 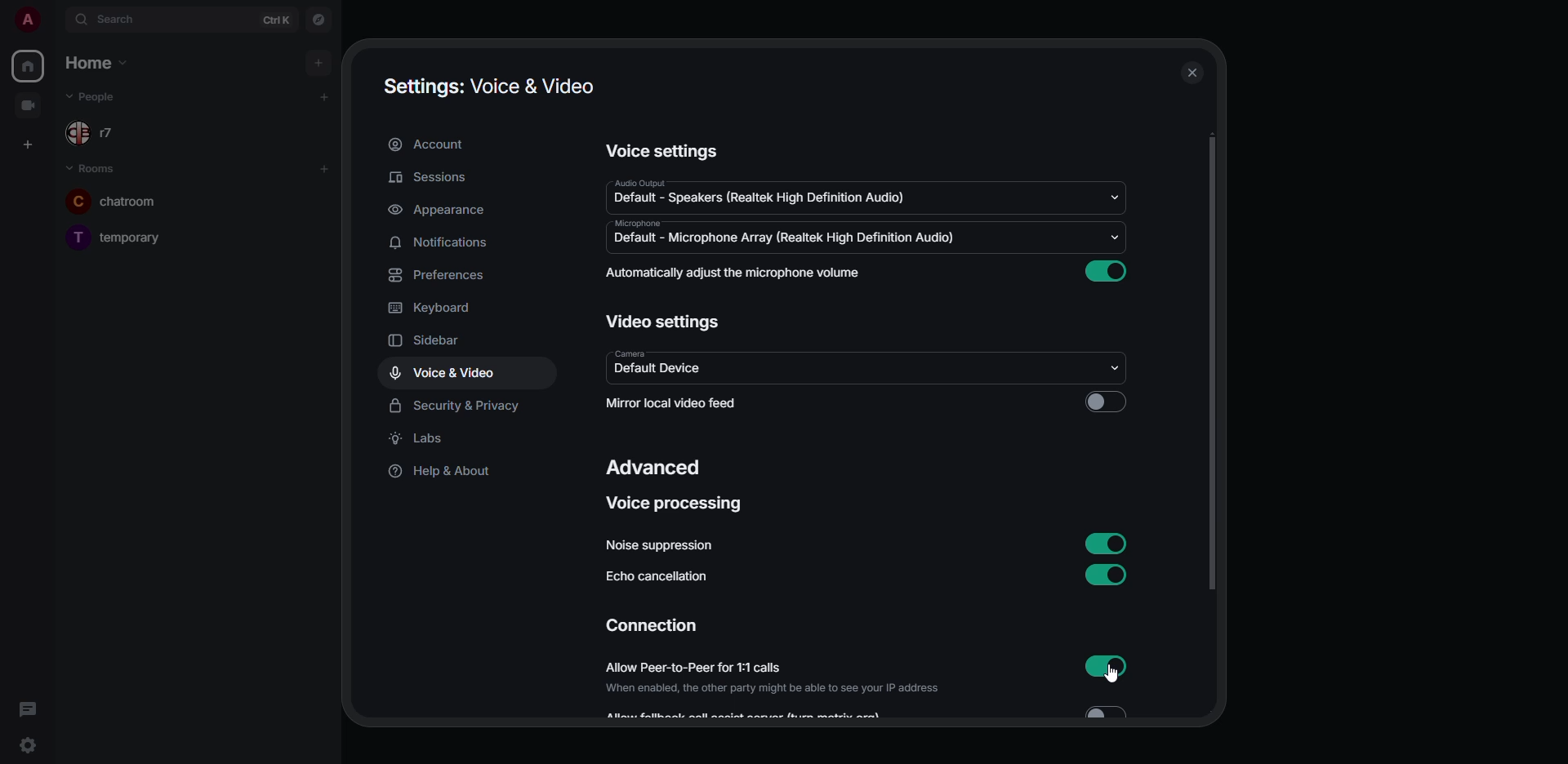 What do you see at coordinates (794, 239) in the screenshot?
I see `default` at bounding box center [794, 239].